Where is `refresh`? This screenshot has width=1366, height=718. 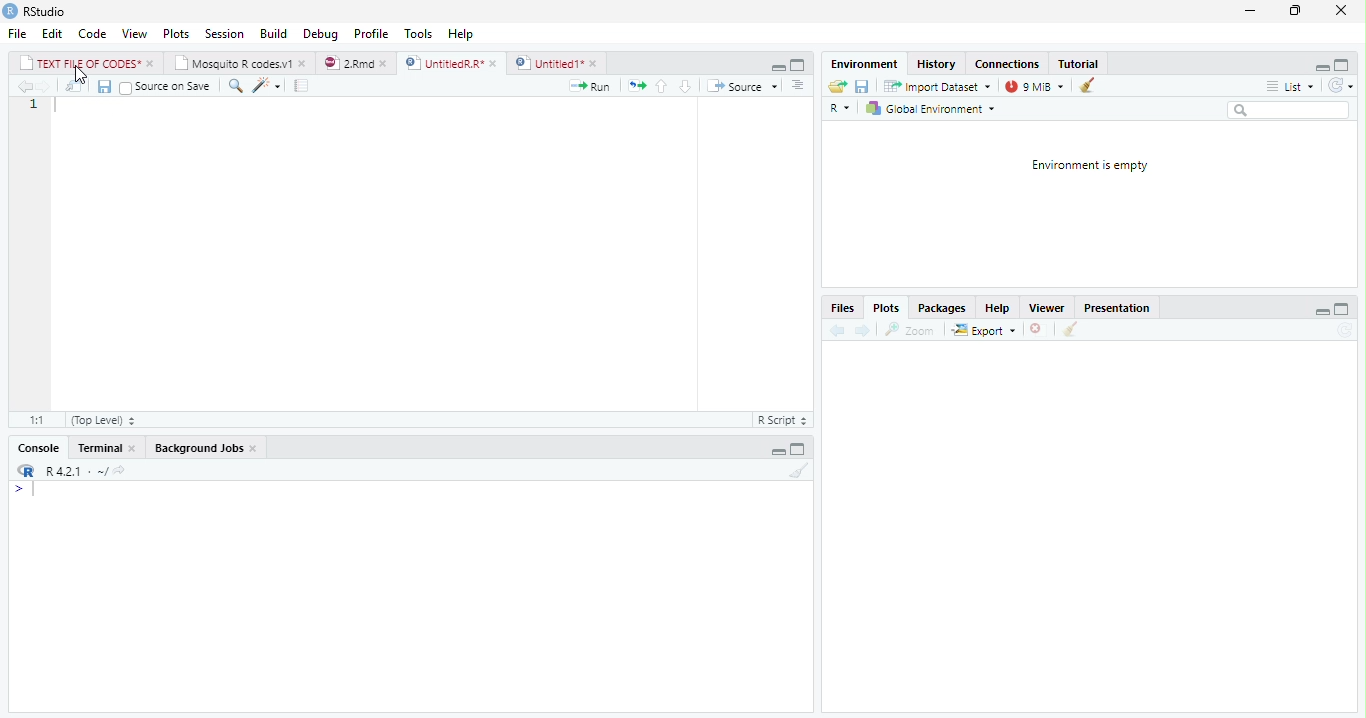 refresh is located at coordinates (1347, 87).